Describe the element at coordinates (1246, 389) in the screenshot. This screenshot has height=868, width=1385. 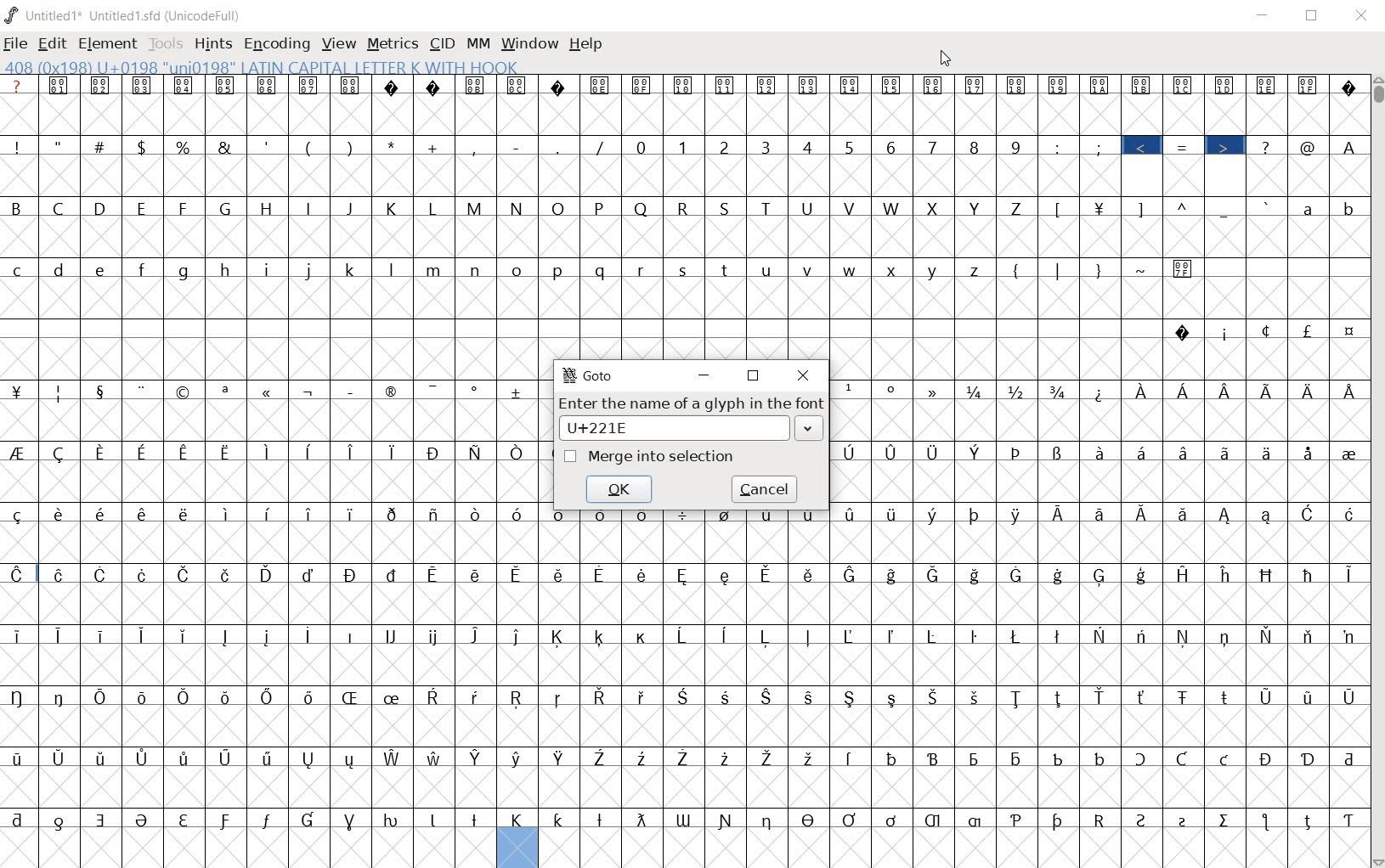
I see `special letters` at that location.